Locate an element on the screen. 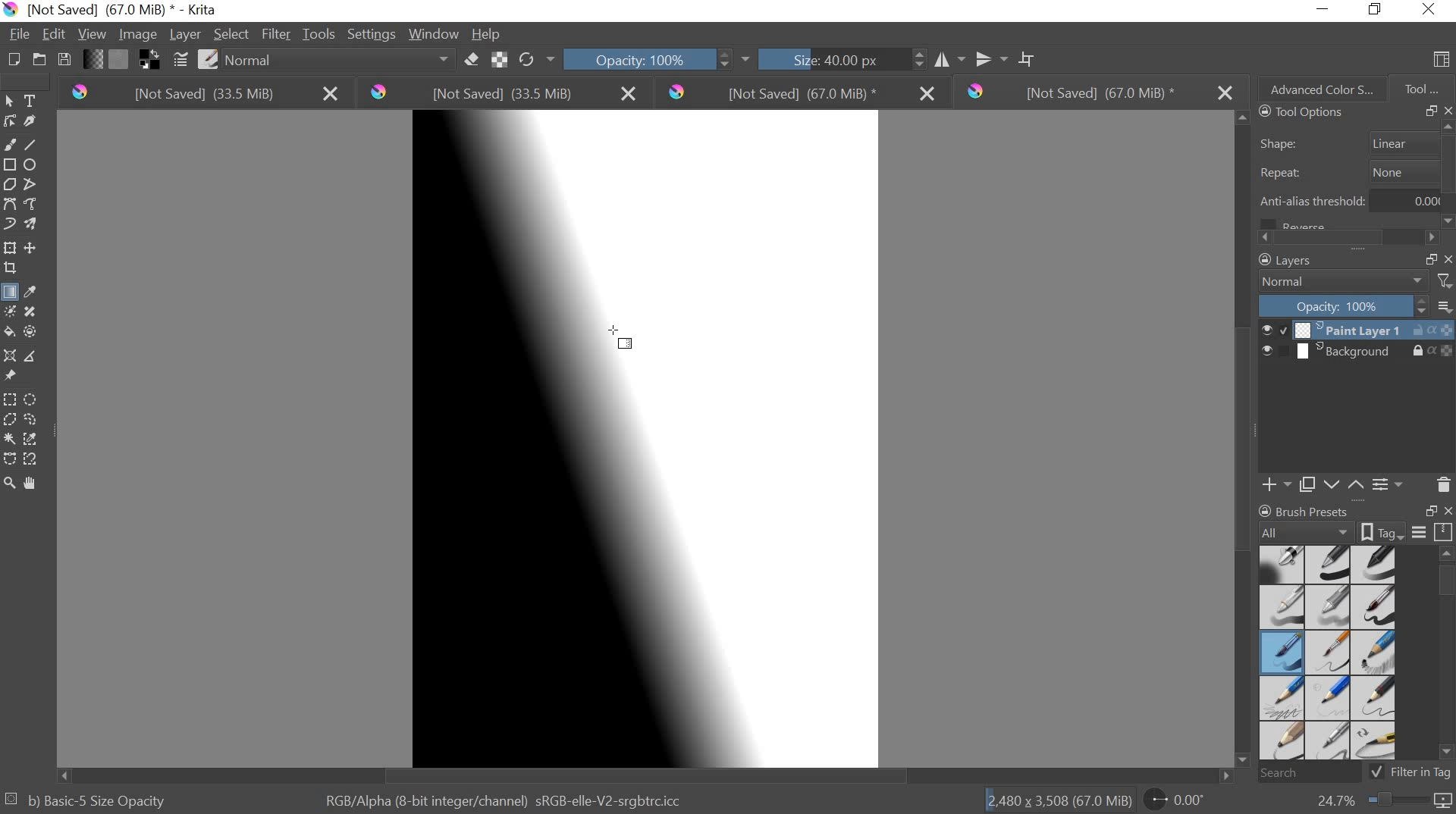  SAVE is located at coordinates (64, 58).